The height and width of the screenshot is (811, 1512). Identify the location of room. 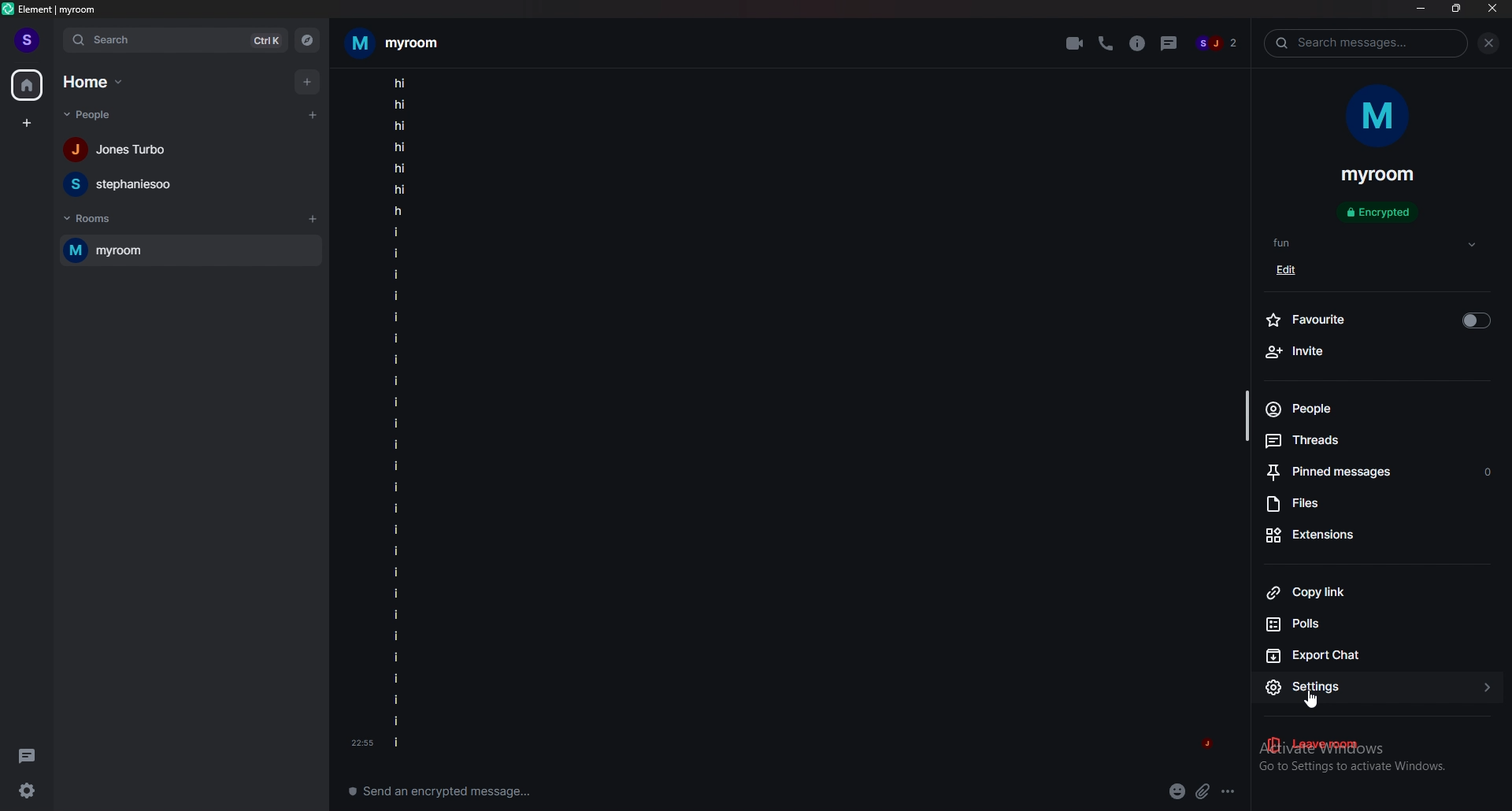
(190, 250).